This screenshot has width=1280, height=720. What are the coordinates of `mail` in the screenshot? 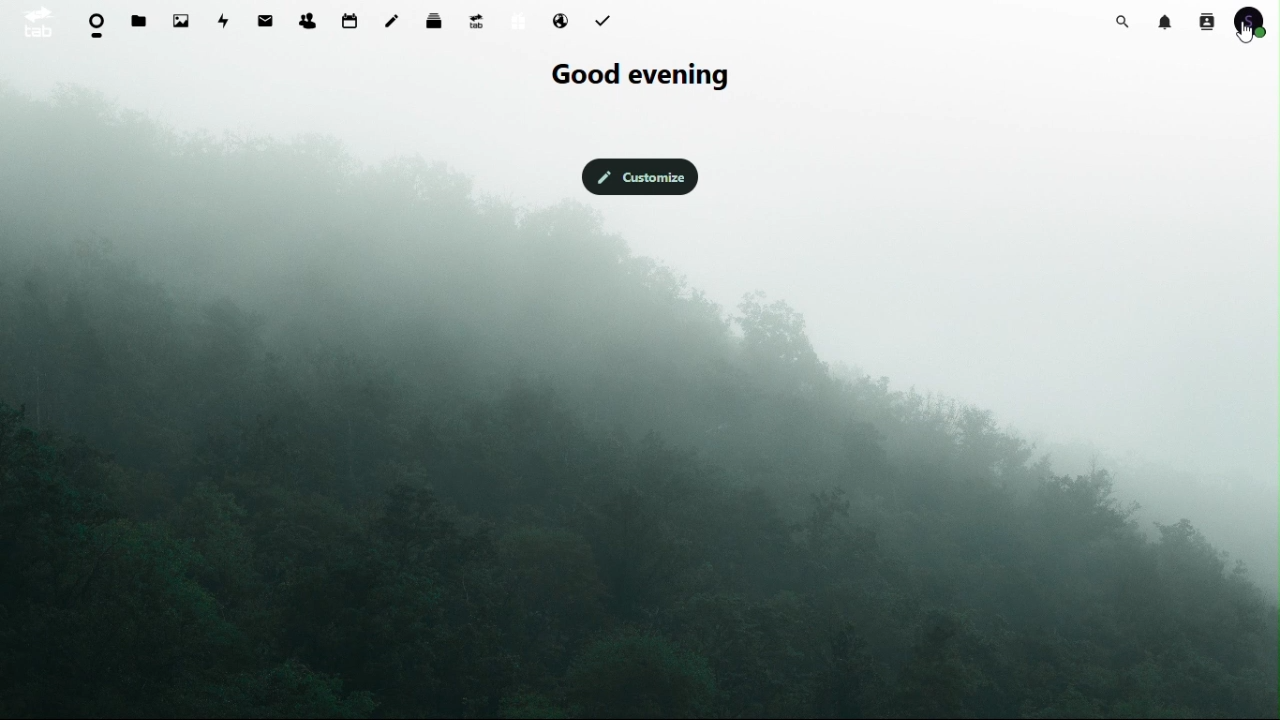 It's located at (269, 18).